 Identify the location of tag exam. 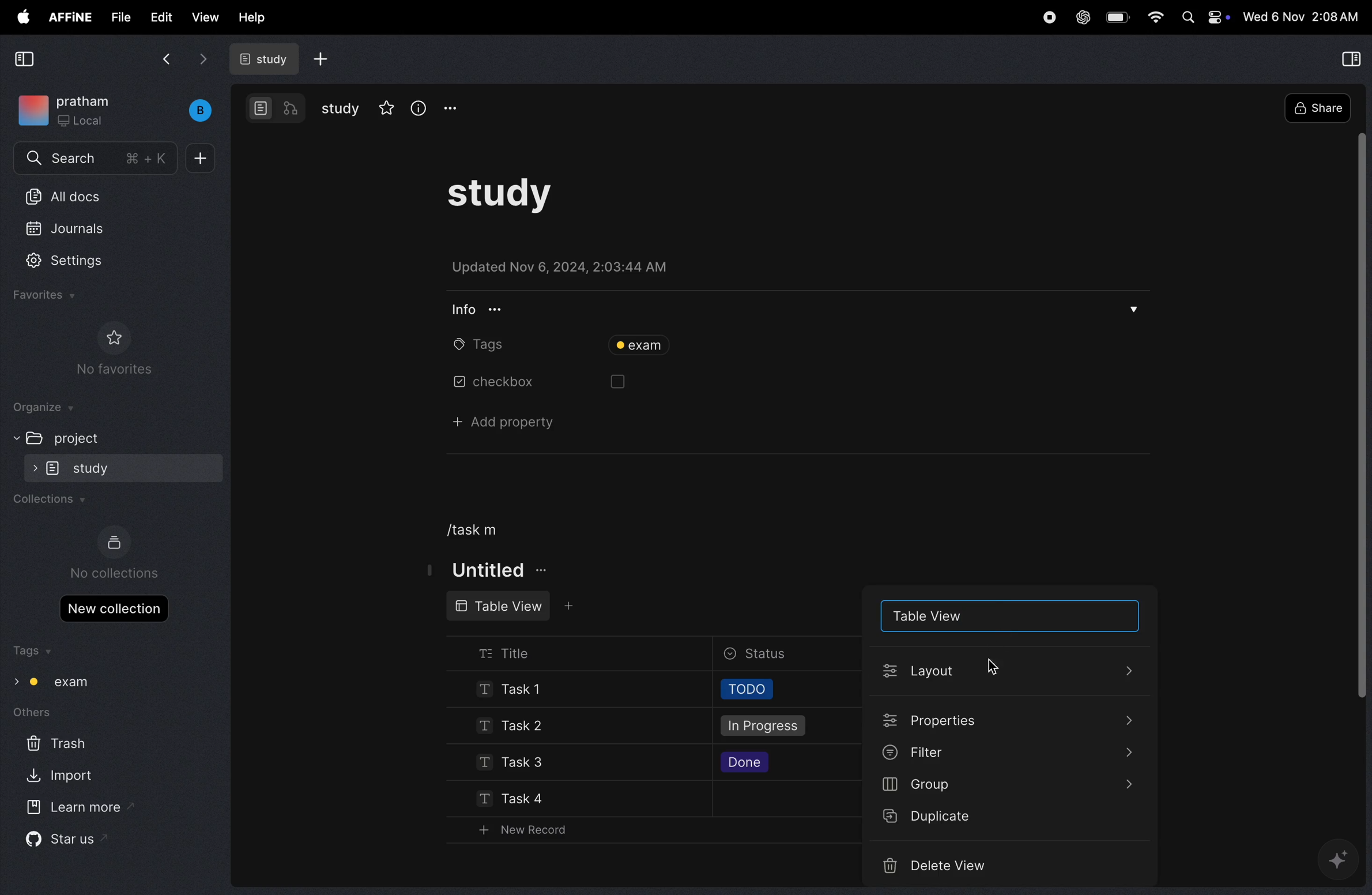
(59, 683).